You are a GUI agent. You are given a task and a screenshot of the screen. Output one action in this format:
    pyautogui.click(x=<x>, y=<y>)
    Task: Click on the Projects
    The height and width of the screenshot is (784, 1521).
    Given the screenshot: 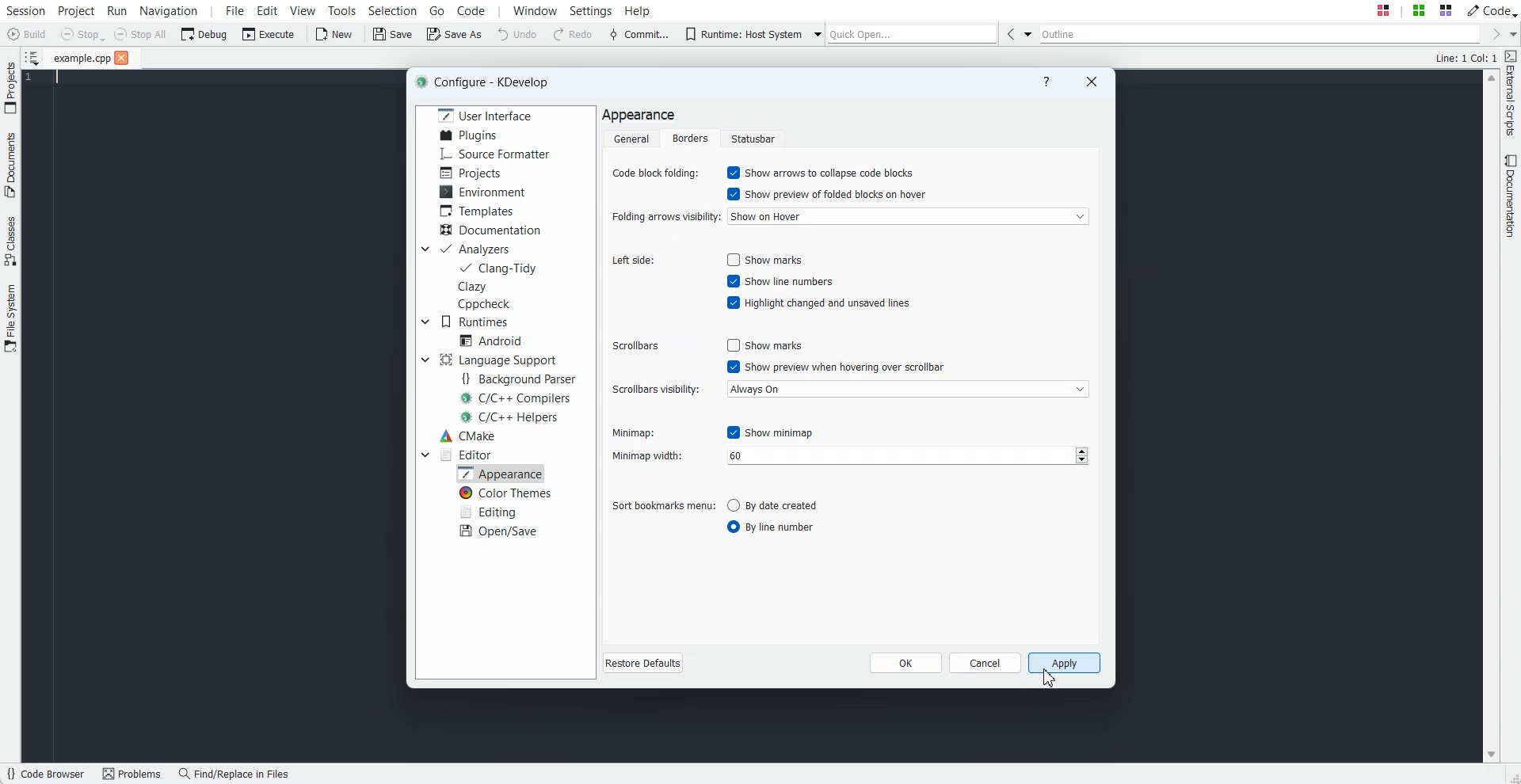 What is the action you would take?
    pyautogui.click(x=10, y=87)
    